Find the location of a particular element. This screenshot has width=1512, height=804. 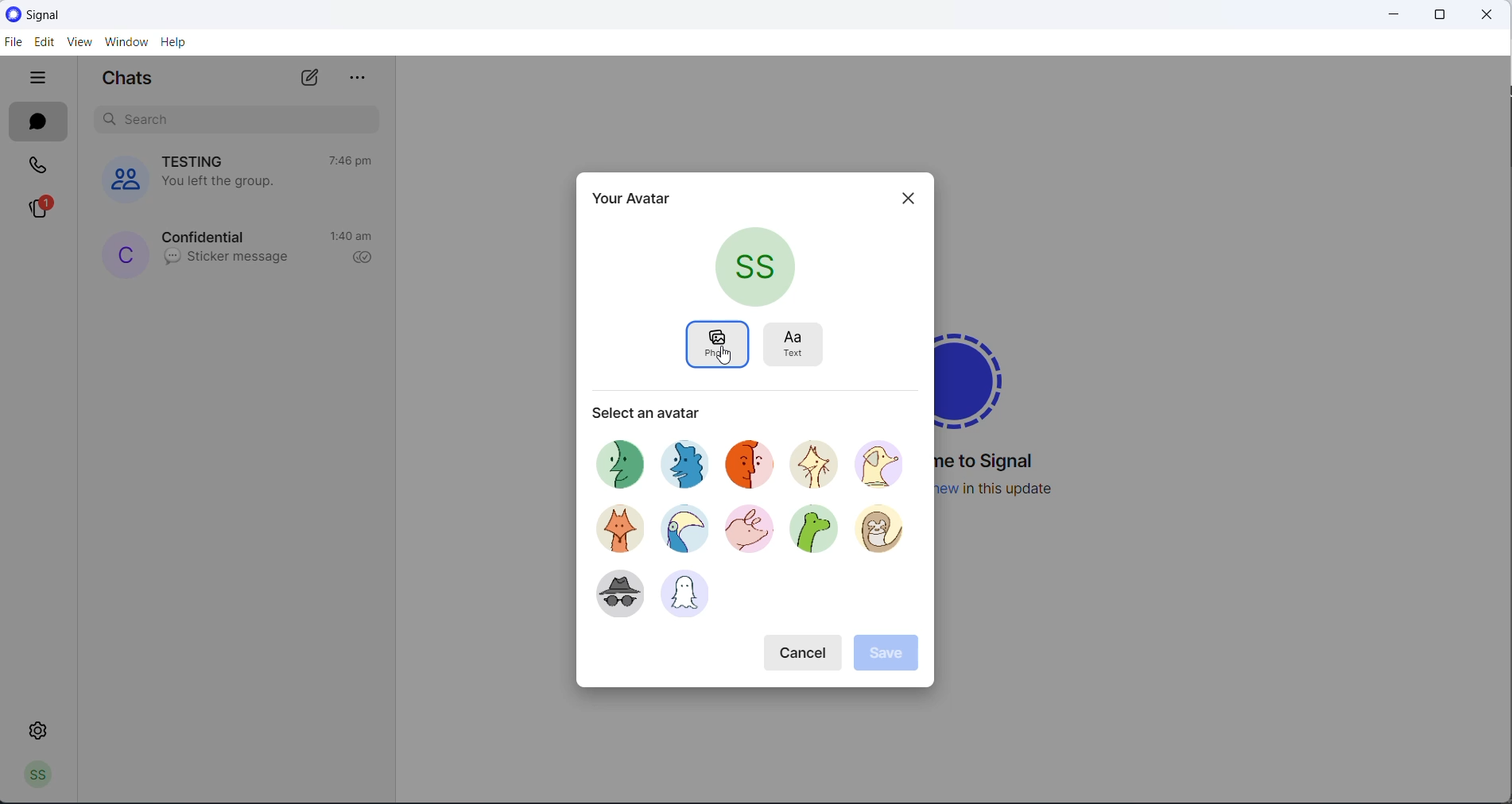

chats heading is located at coordinates (133, 79).